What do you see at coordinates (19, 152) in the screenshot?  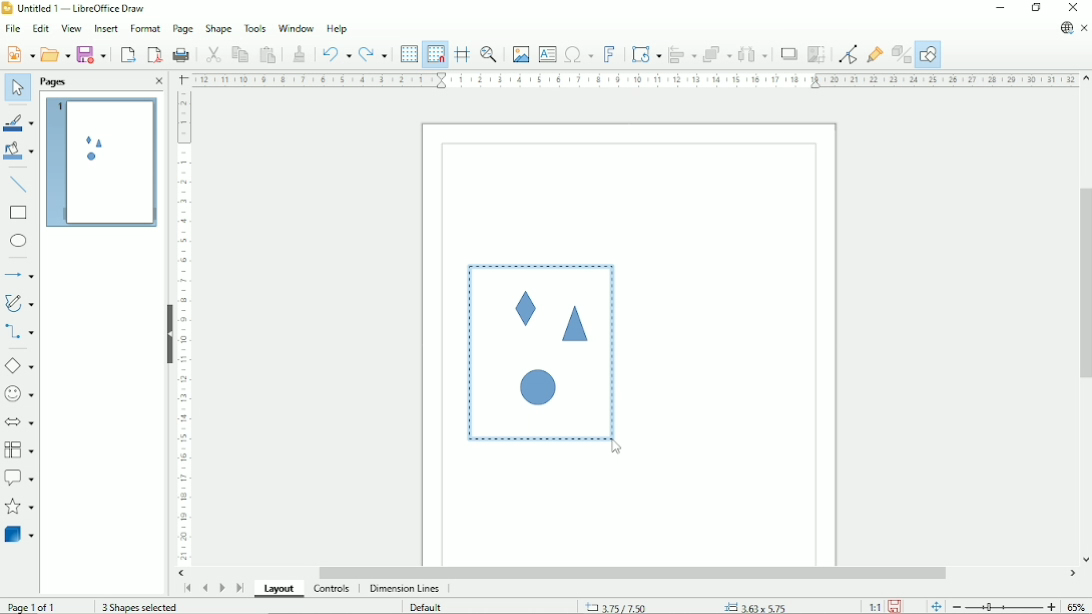 I see `Fill color` at bounding box center [19, 152].